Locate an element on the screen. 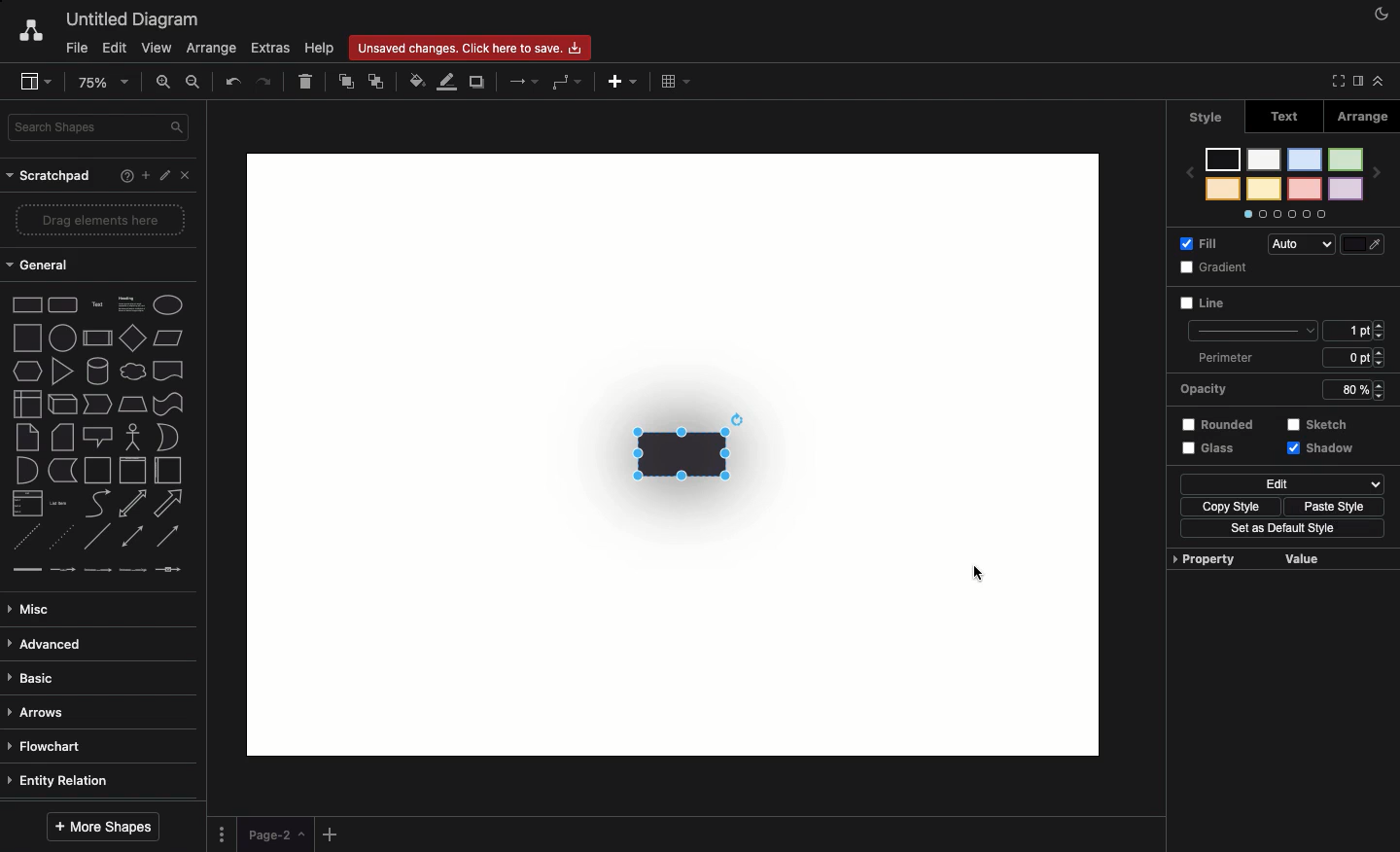 Image resolution: width=1400 pixels, height=852 pixels. Add is located at coordinates (625, 83).